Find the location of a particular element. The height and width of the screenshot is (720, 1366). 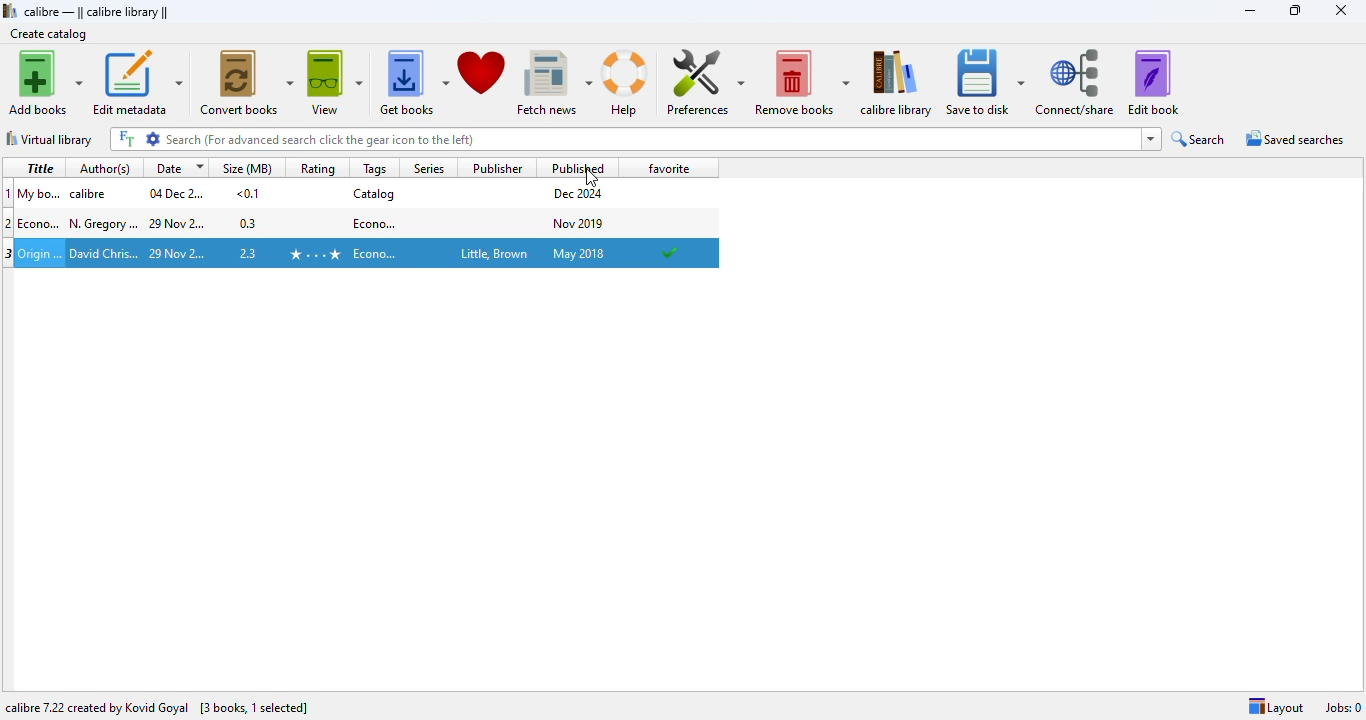

tag is located at coordinates (376, 194).